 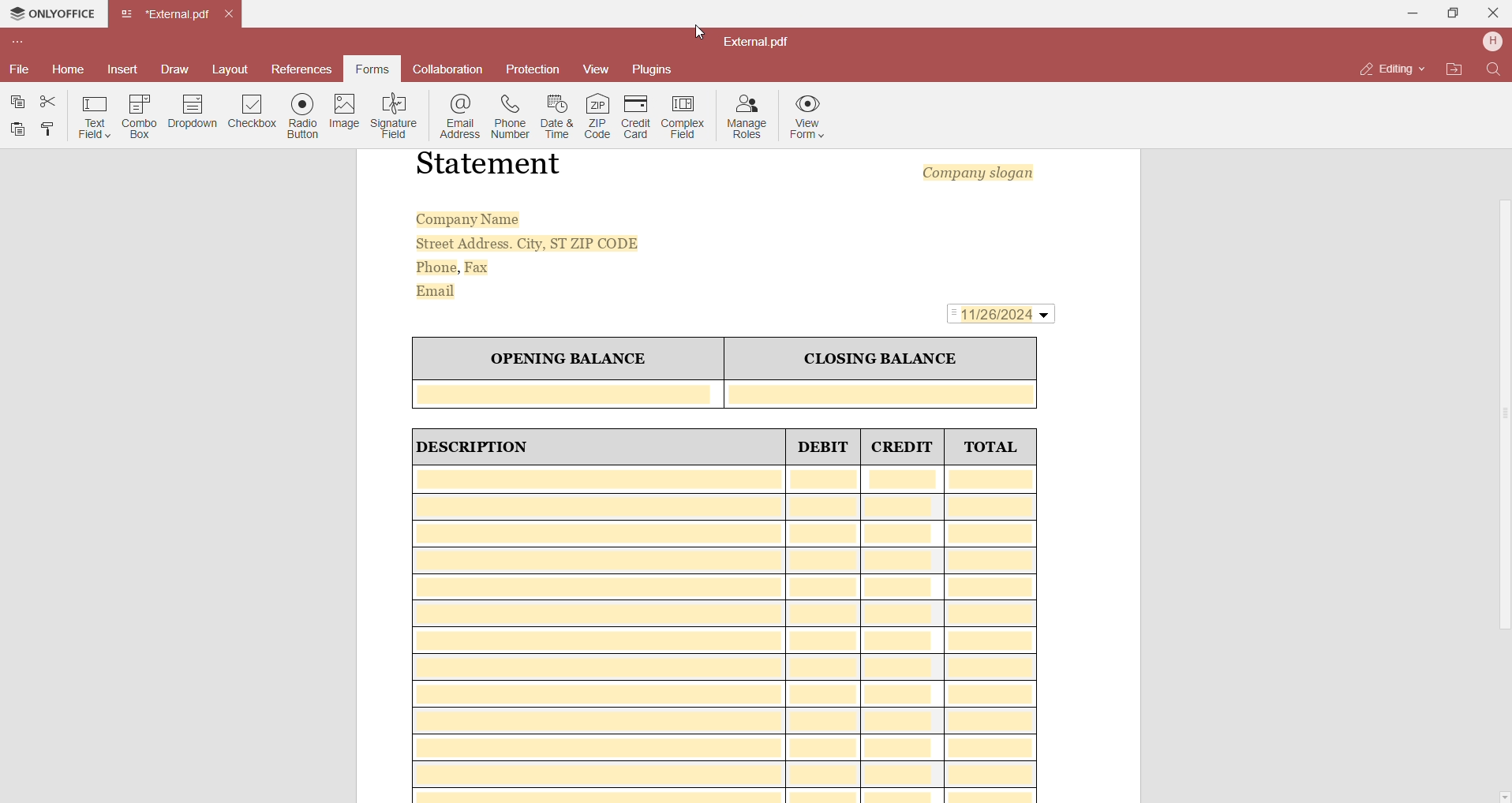 I want to click on View Form, so click(x=811, y=119).